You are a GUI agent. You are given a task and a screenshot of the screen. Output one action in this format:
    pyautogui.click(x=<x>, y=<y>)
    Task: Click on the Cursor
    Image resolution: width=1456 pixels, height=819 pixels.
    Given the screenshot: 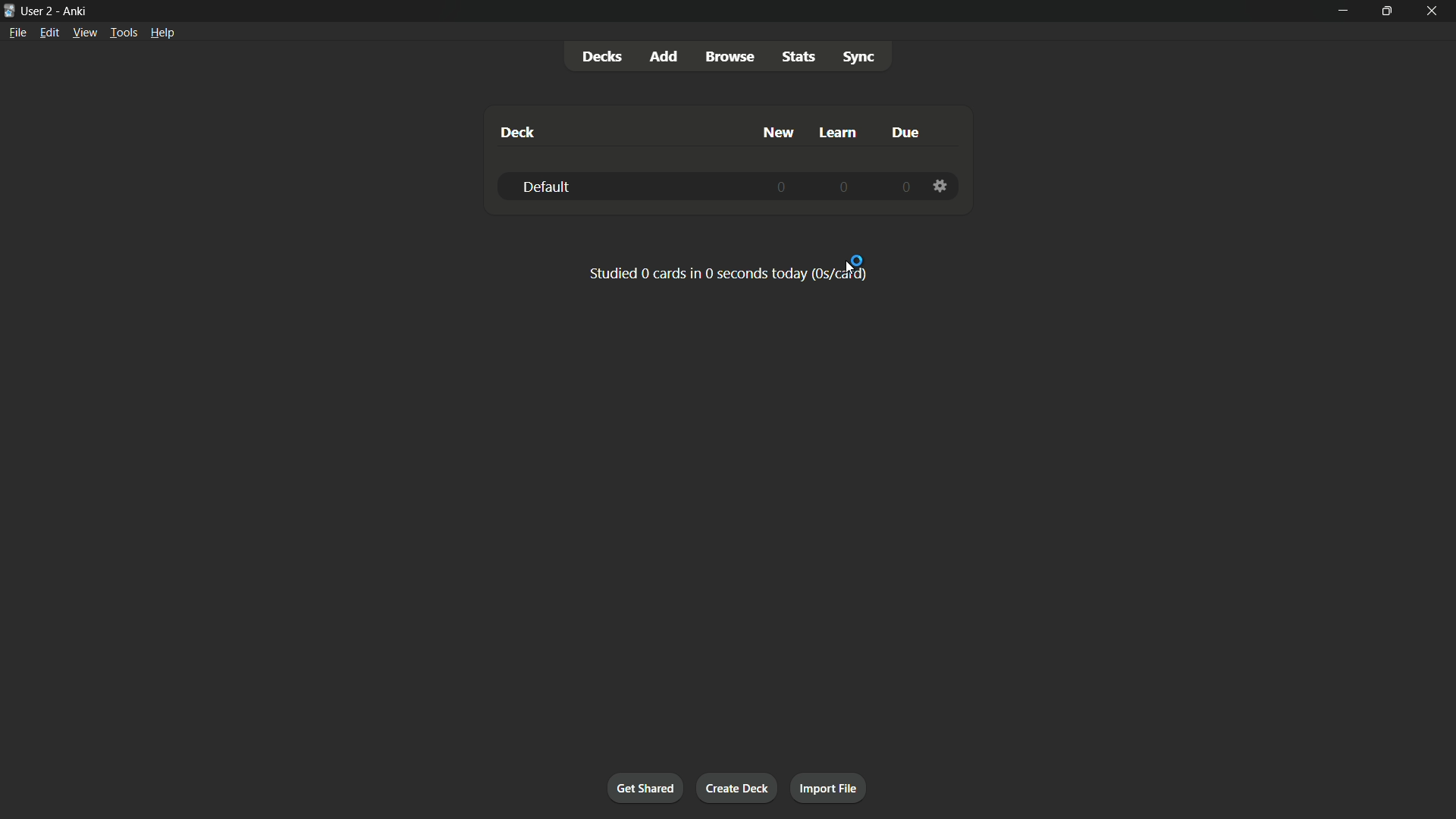 What is the action you would take?
    pyautogui.click(x=849, y=268)
    